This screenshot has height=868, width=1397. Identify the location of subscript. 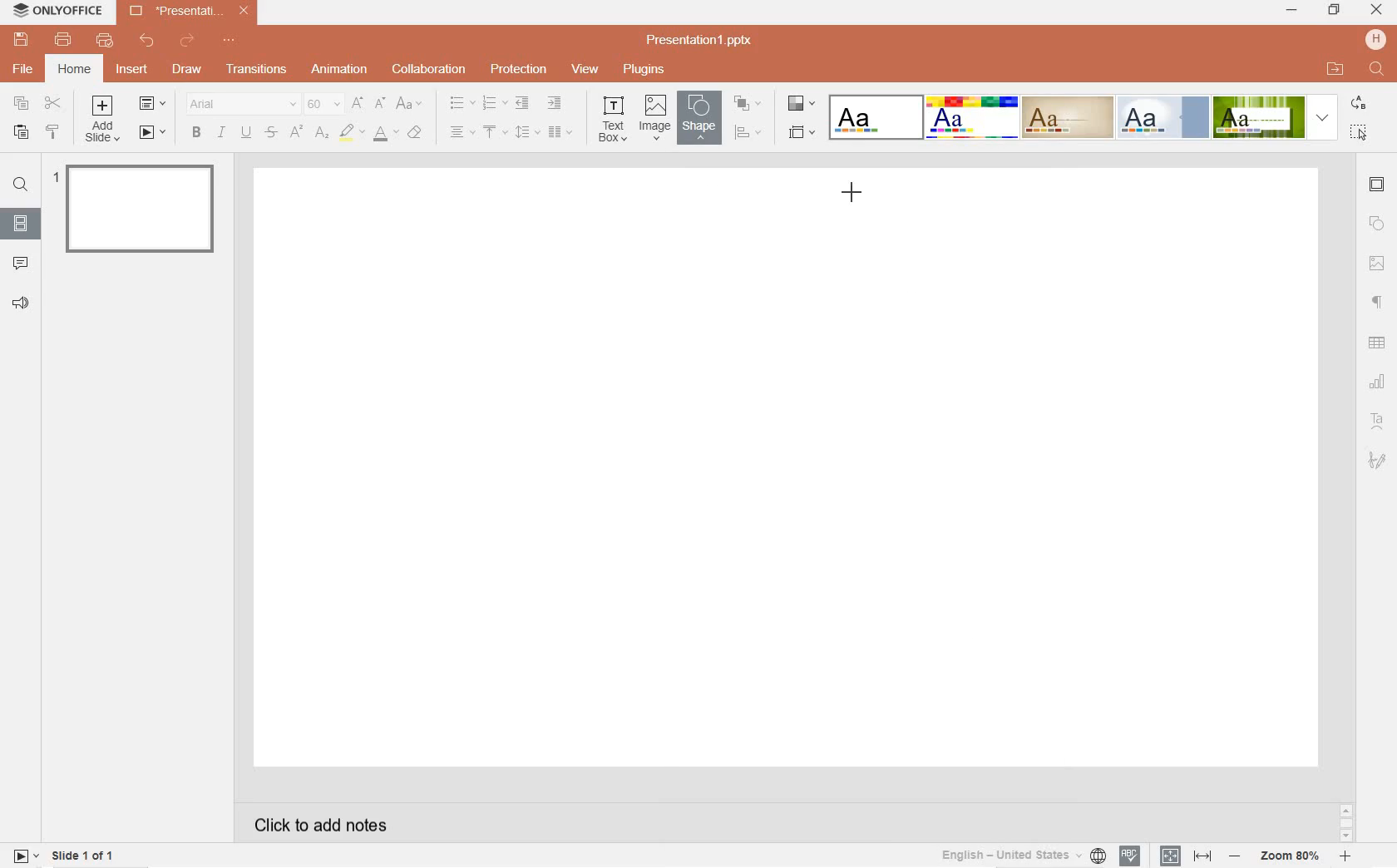
(323, 133).